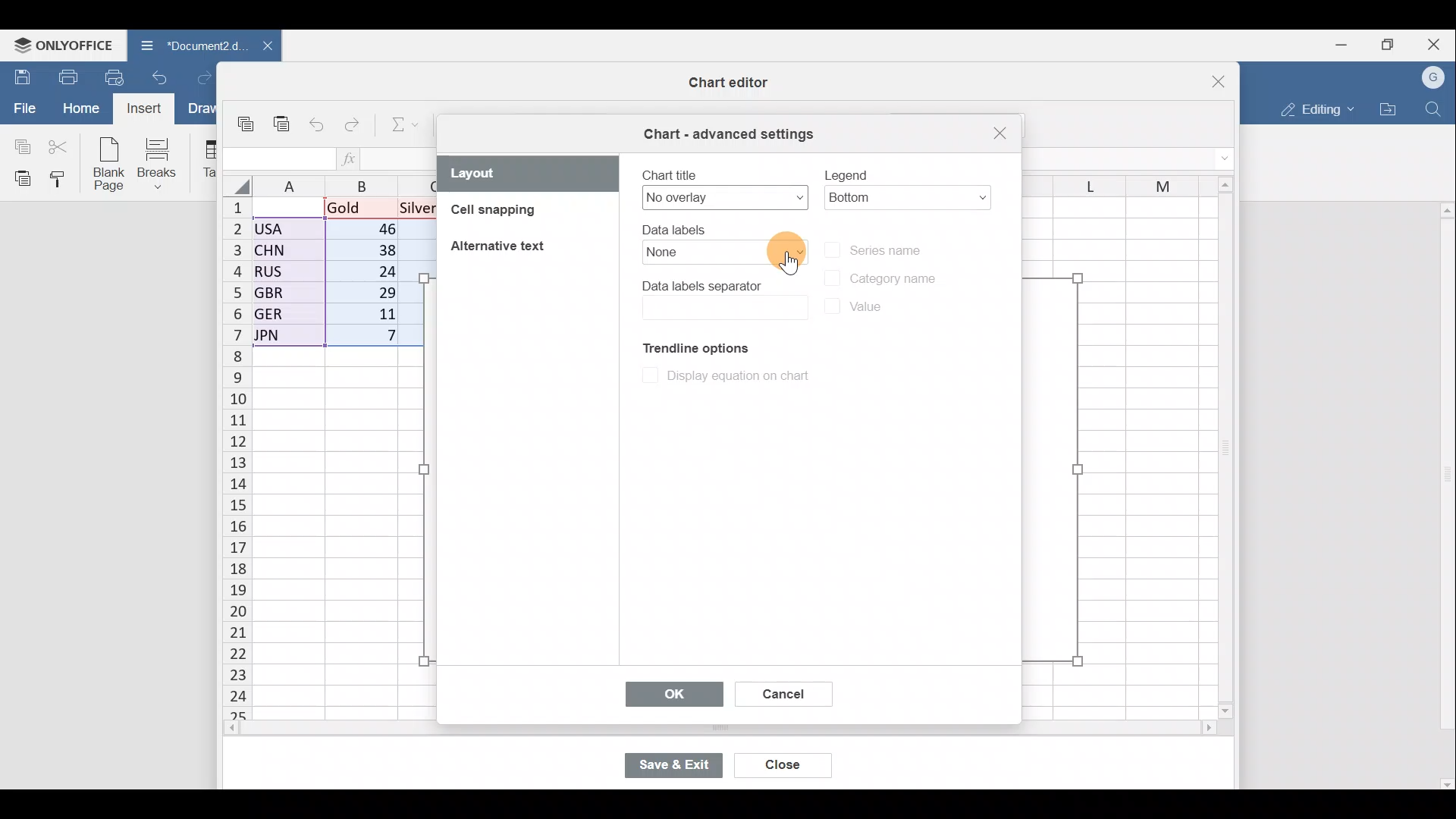  What do you see at coordinates (199, 108) in the screenshot?
I see `Draw` at bounding box center [199, 108].